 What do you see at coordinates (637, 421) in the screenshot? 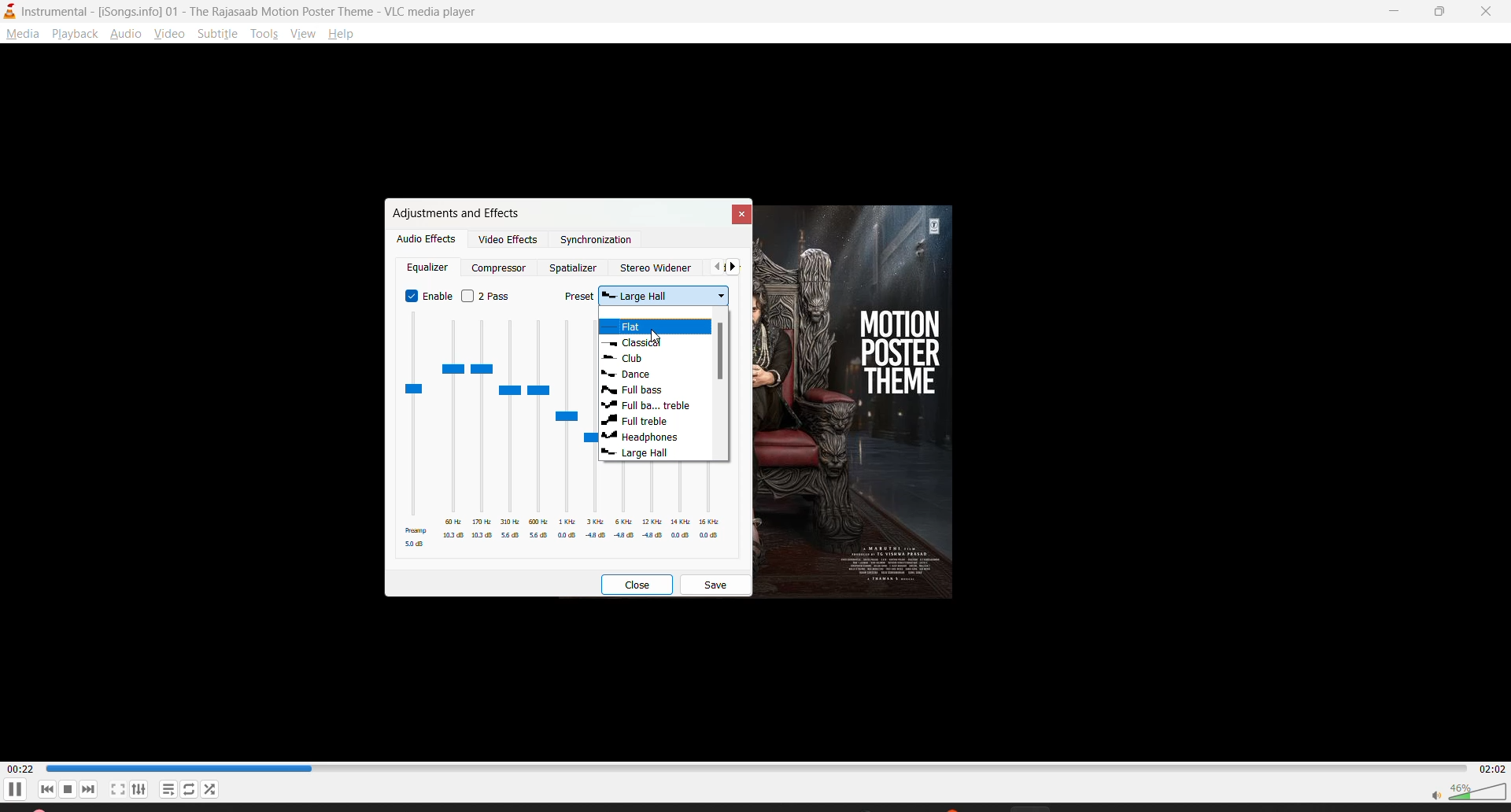
I see `full treble` at bounding box center [637, 421].